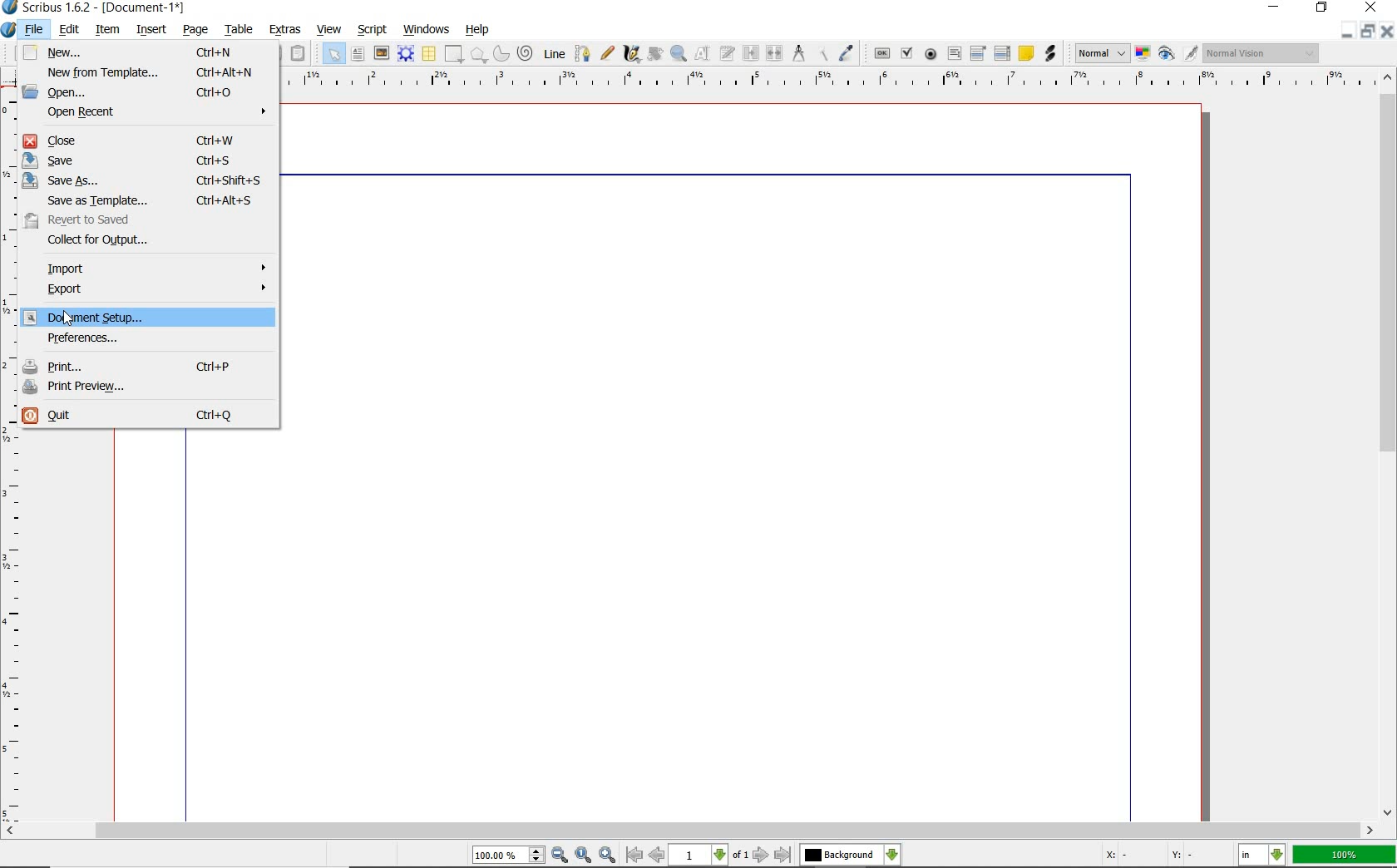  What do you see at coordinates (358, 54) in the screenshot?
I see `text frame` at bounding box center [358, 54].